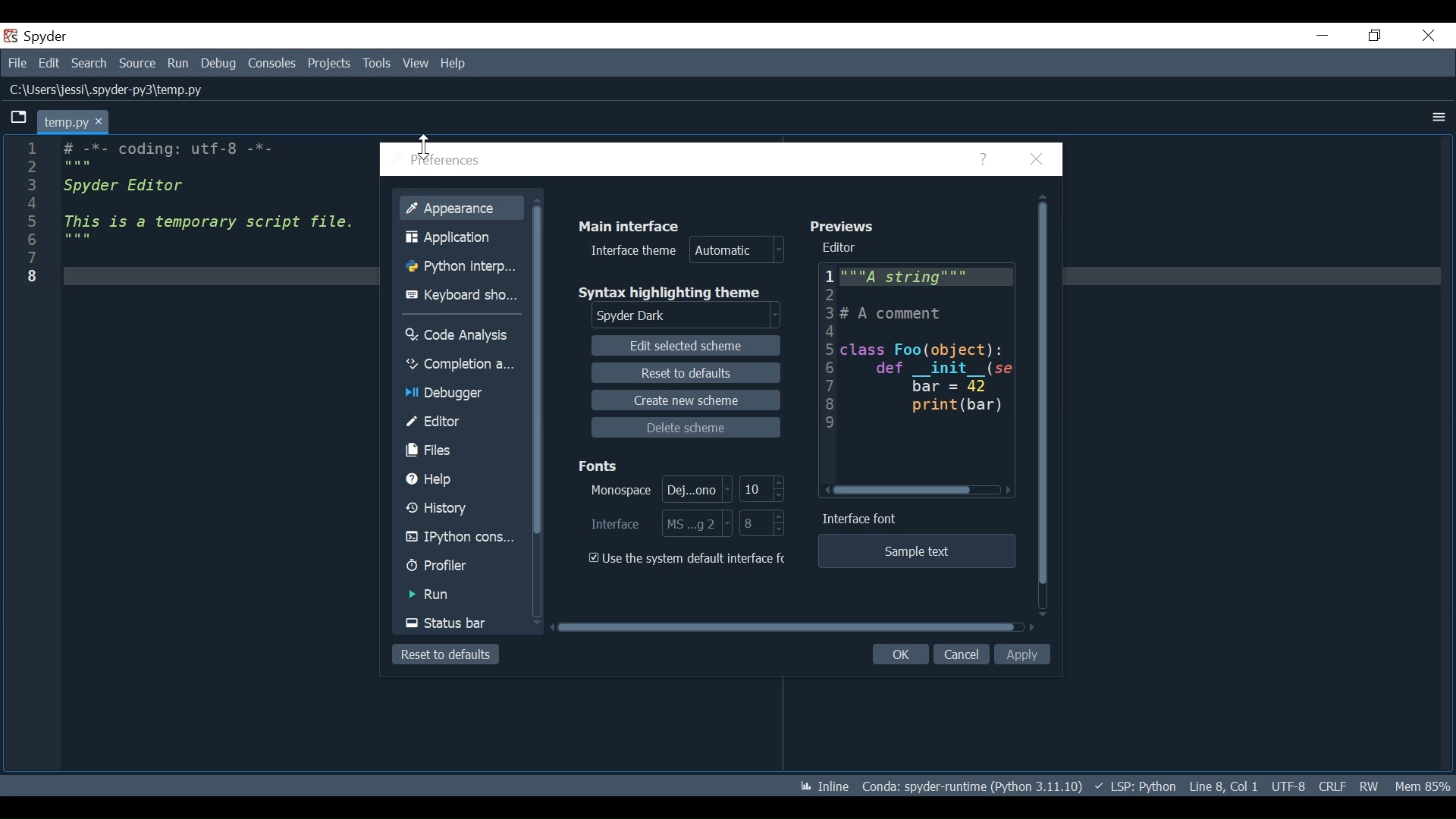 Image resolution: width=1456 pixels, height=819 pixels. What do you see at coordinates (859, 518) in the screenshot?
I see `Interface text` at bounding box center [859, 518].